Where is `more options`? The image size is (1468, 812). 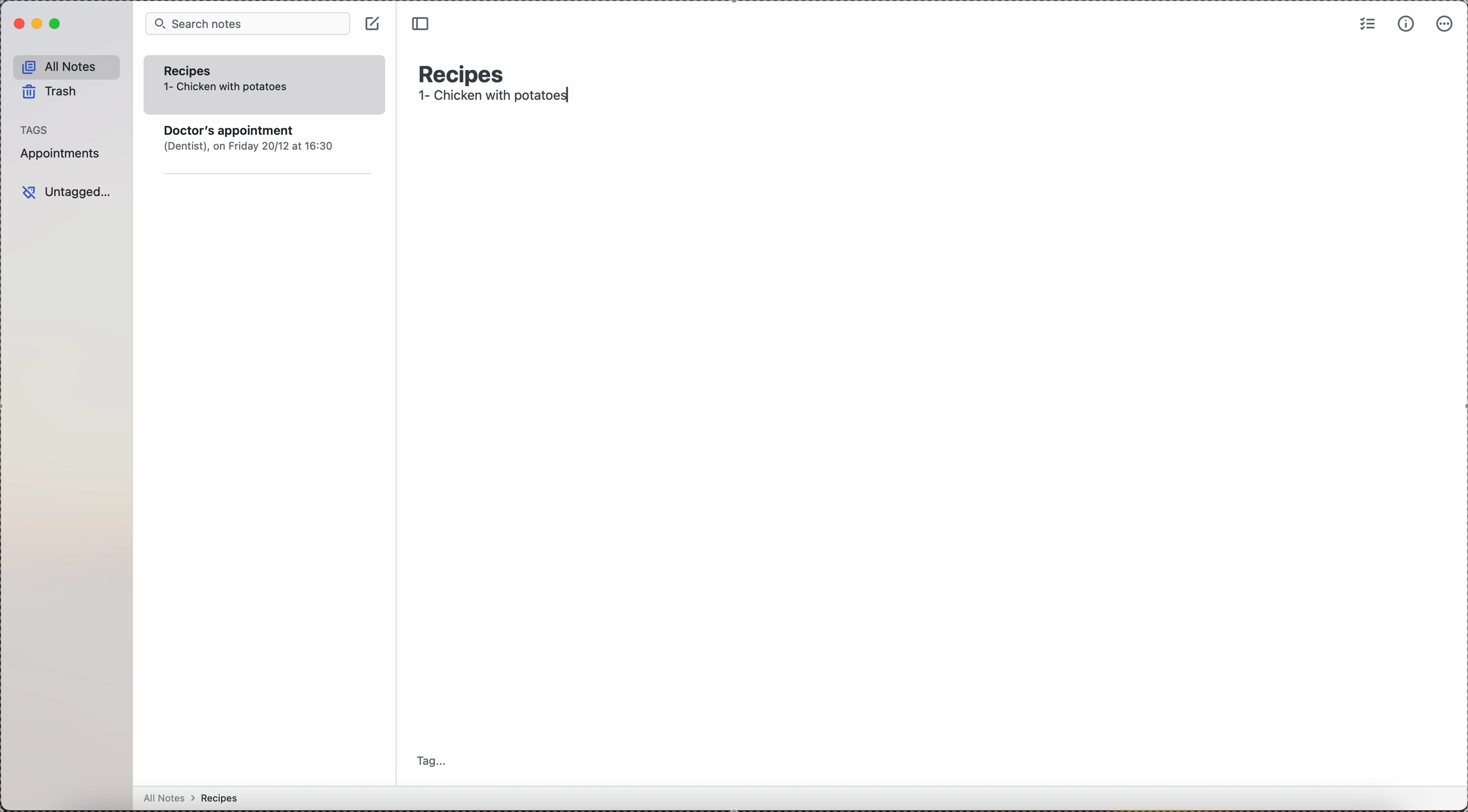
more options is located at coordinates (1443, 25).